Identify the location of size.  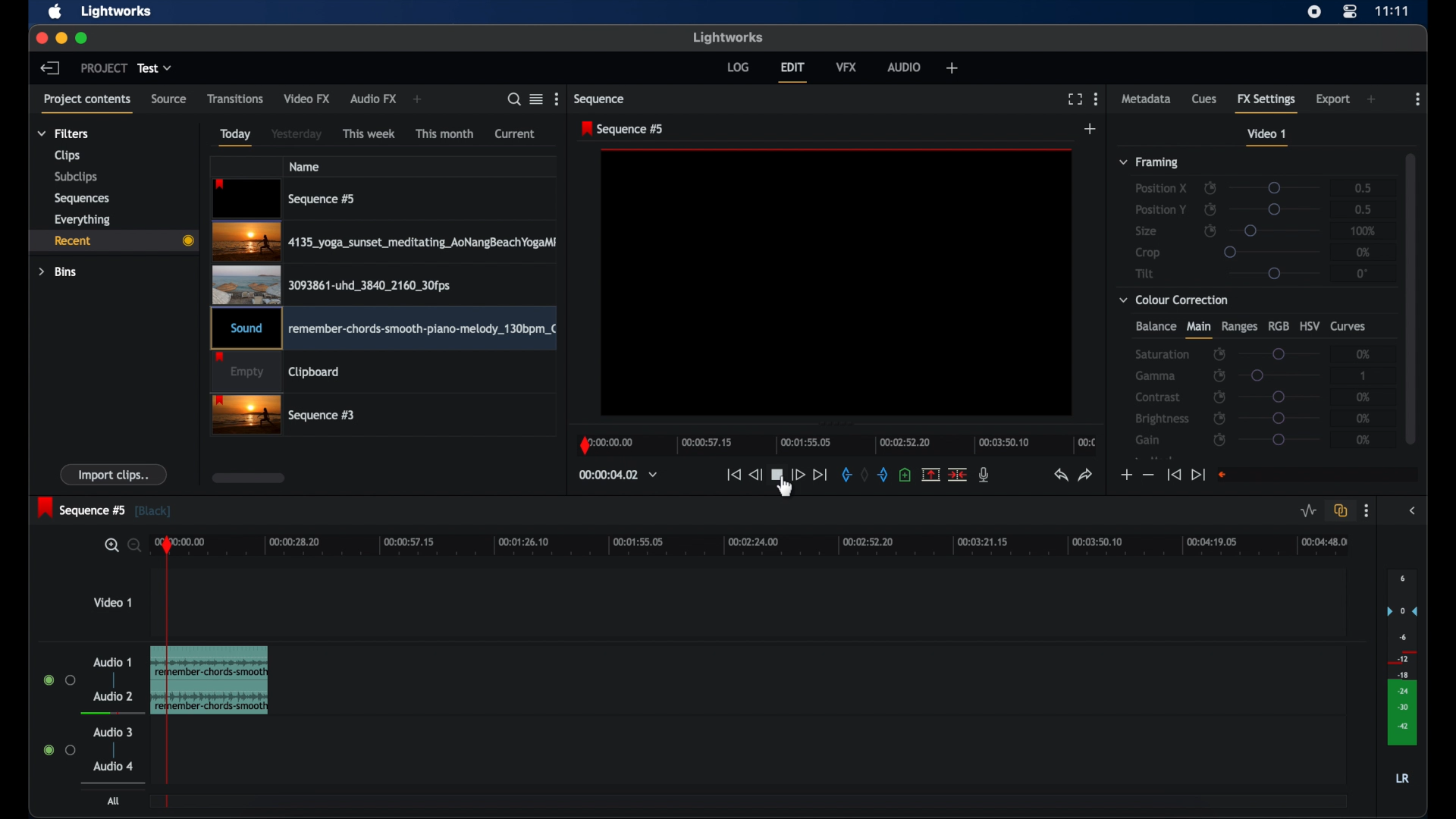
(1146, 231).